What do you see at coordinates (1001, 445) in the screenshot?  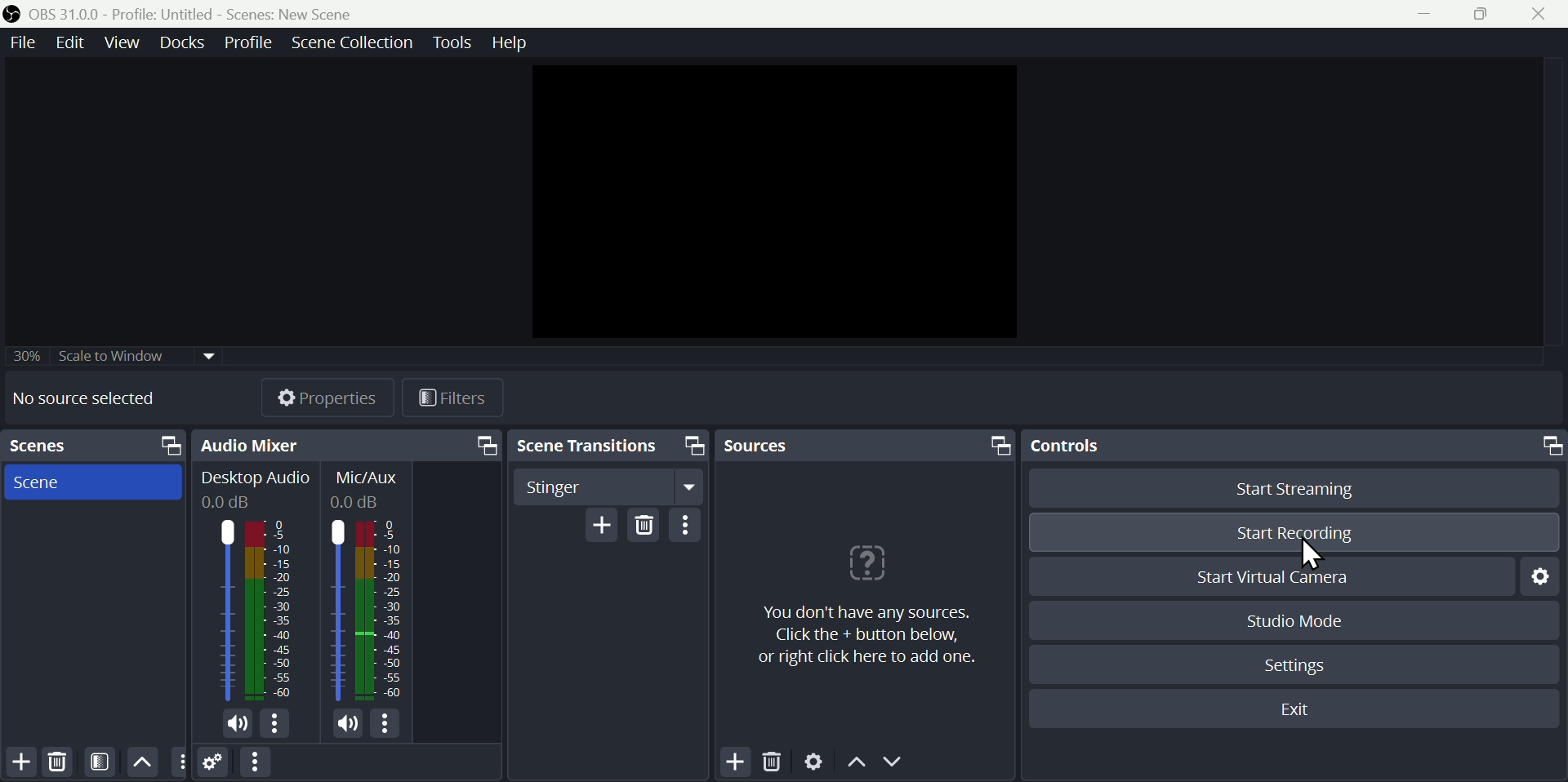 I see `maximize` at bounding box center [1001, 445].